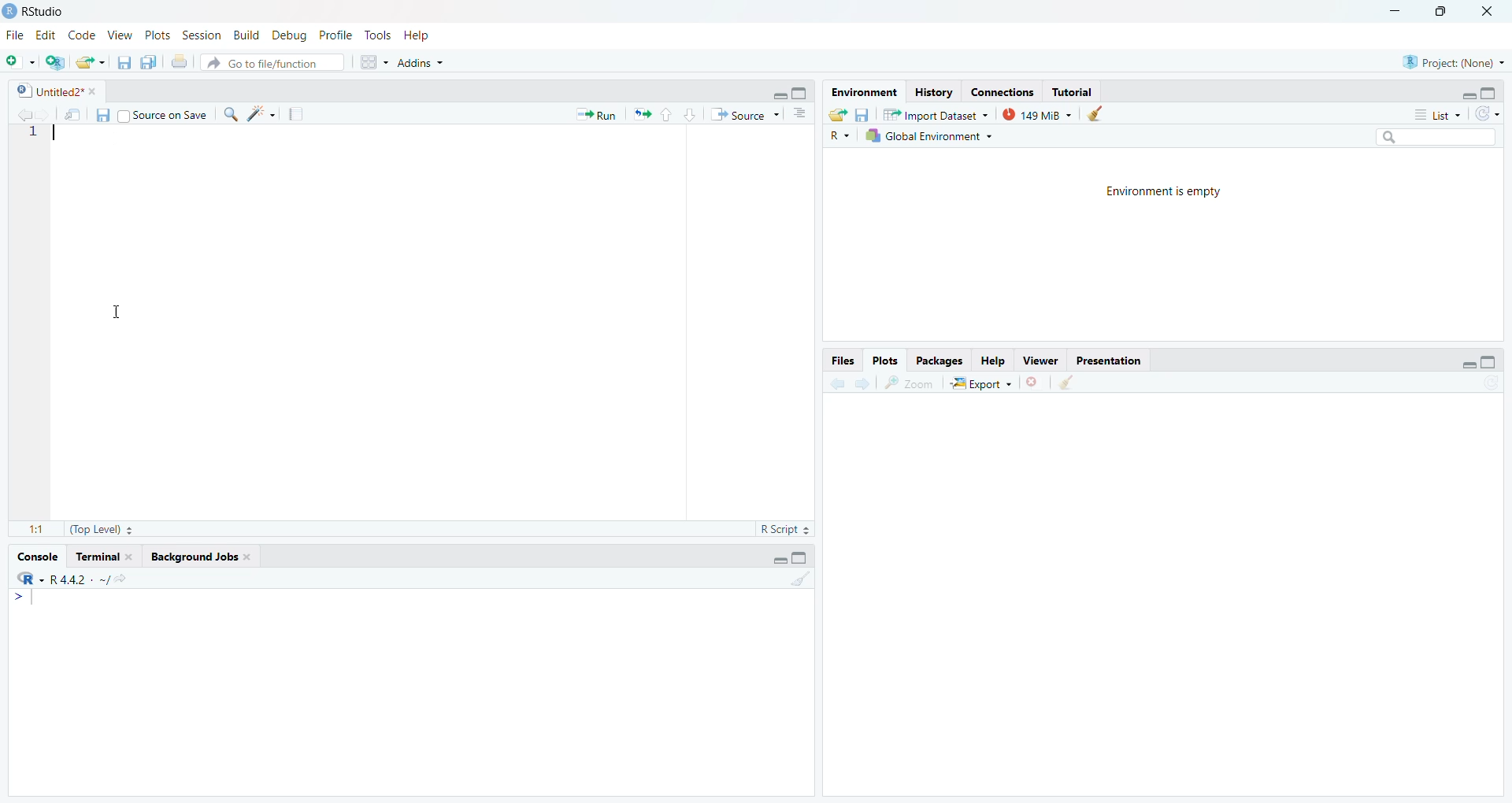 This screenshot has height=803, width=1512. What do you see at coordinates (1101, 113) in the screenshot?
I see `Clear console (Ctrl +L)` at bounding box center [1101, 113].